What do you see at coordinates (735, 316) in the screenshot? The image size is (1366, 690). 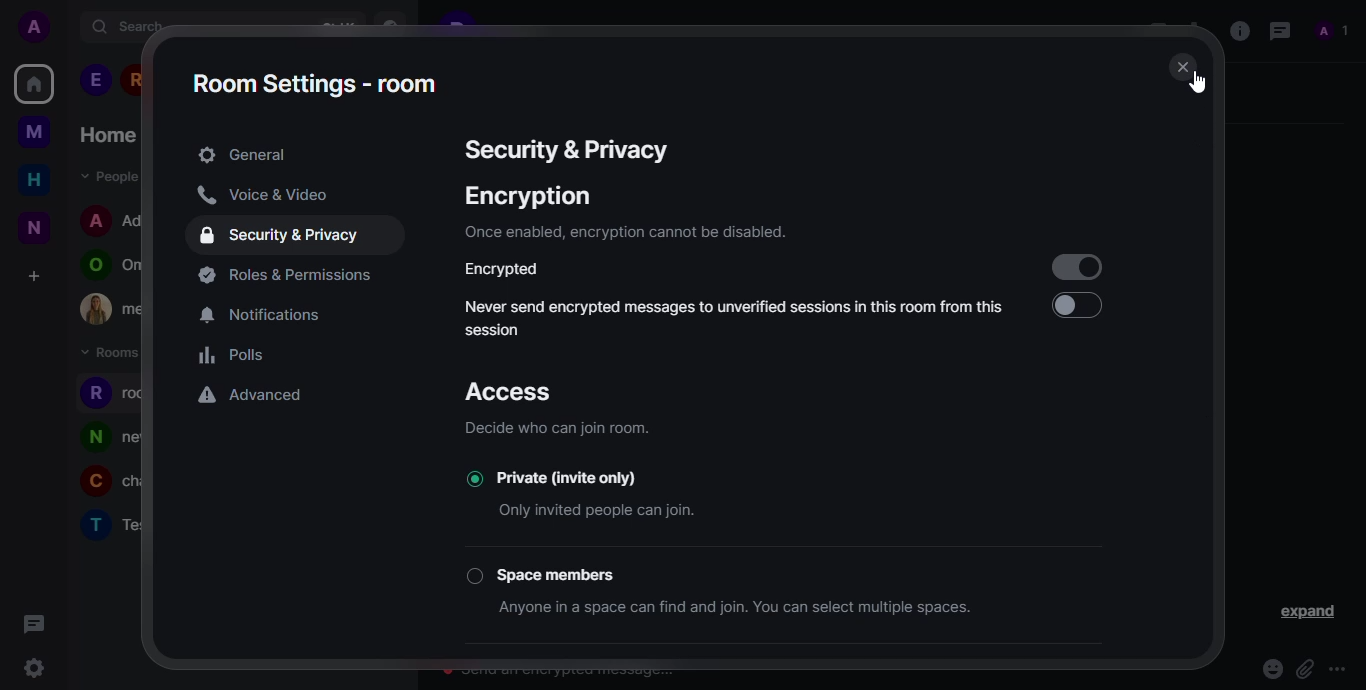 I see `never send encrypted message to unverified session` at bounding box center [735, 316].